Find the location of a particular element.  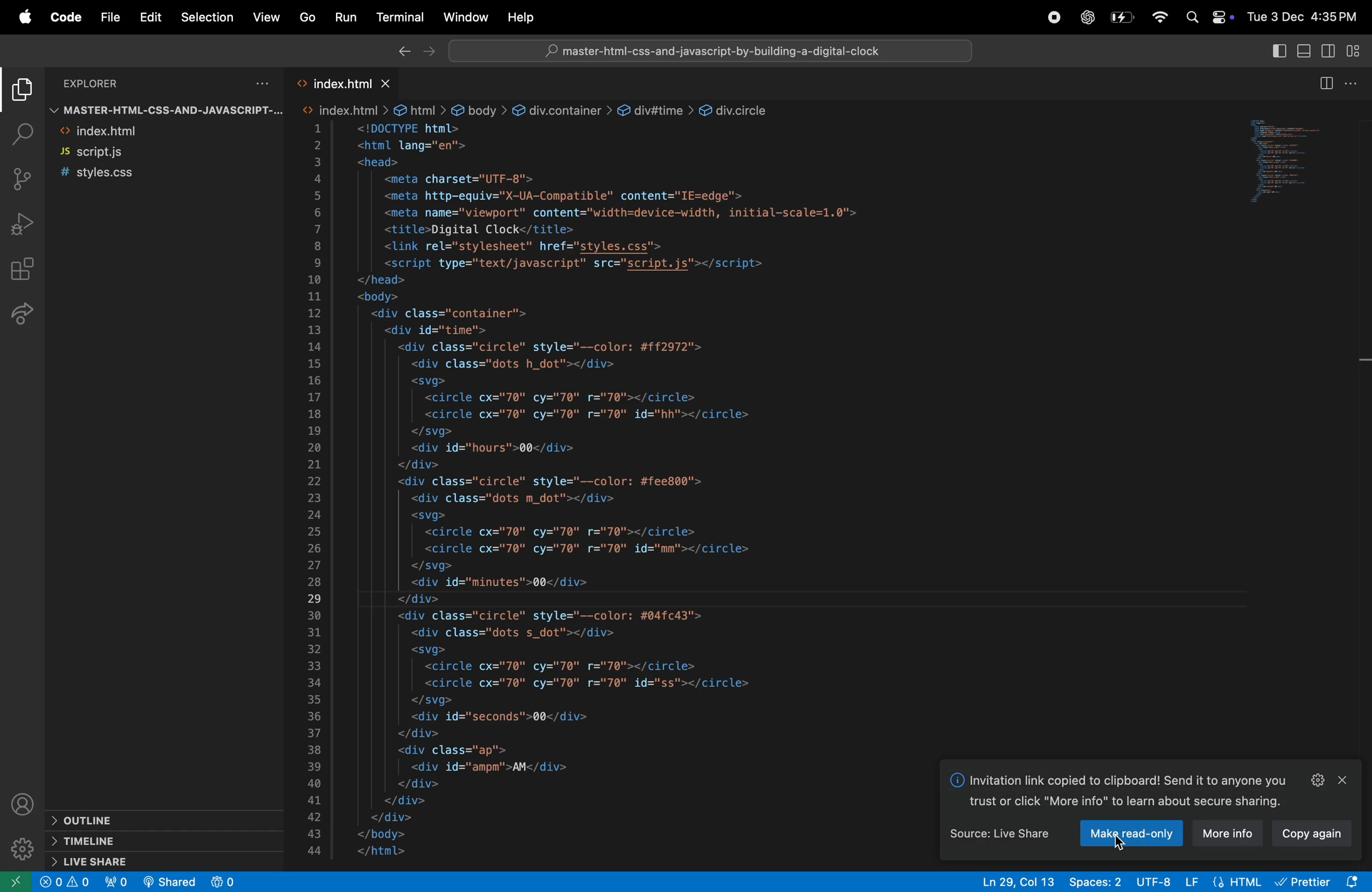

customize layout is located at coordinates (1358, 50).